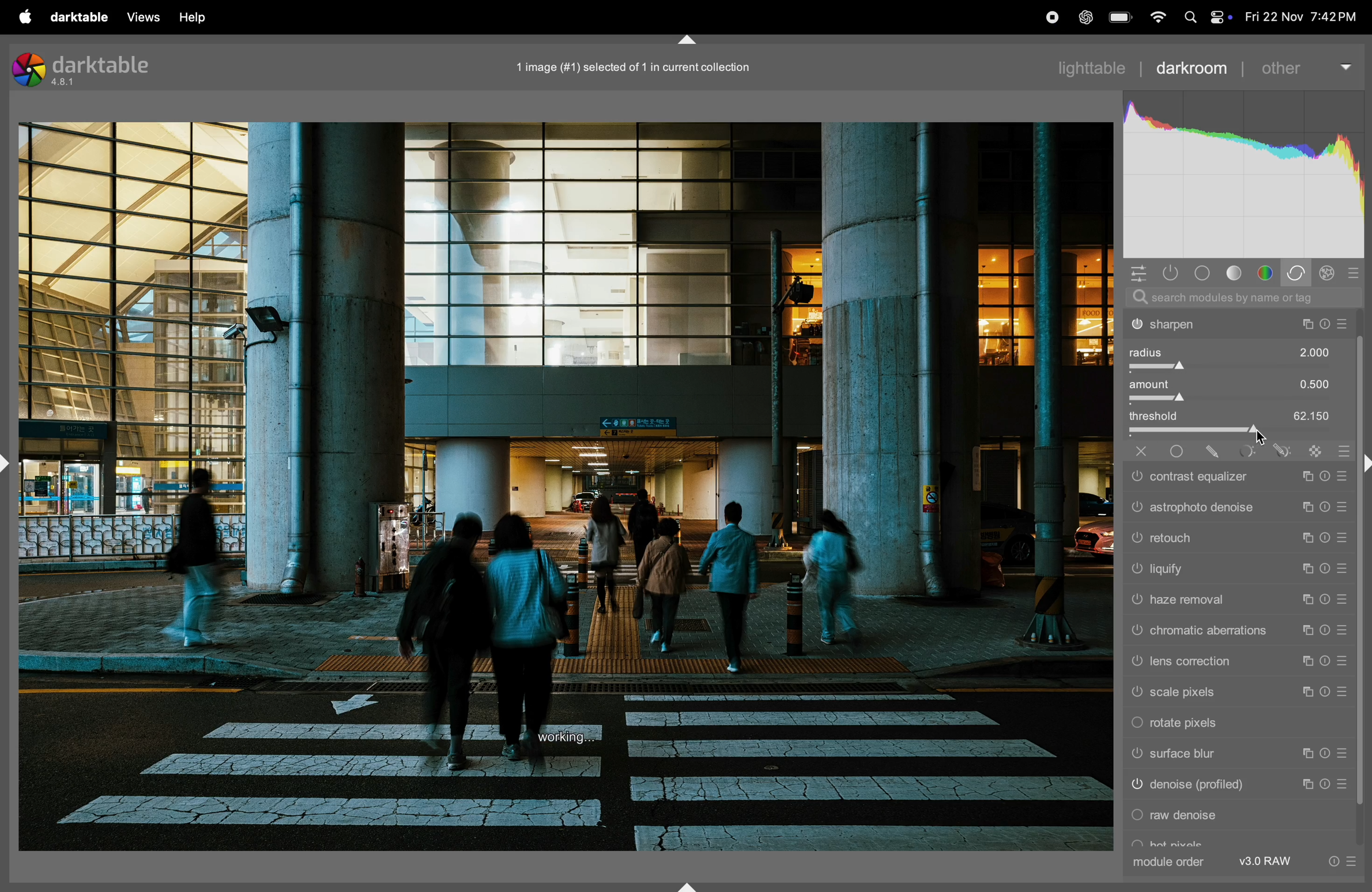 The width and height of the screenshot is (1372, 892). I want to click on shift+ctrl+r, so click(1364, 463).